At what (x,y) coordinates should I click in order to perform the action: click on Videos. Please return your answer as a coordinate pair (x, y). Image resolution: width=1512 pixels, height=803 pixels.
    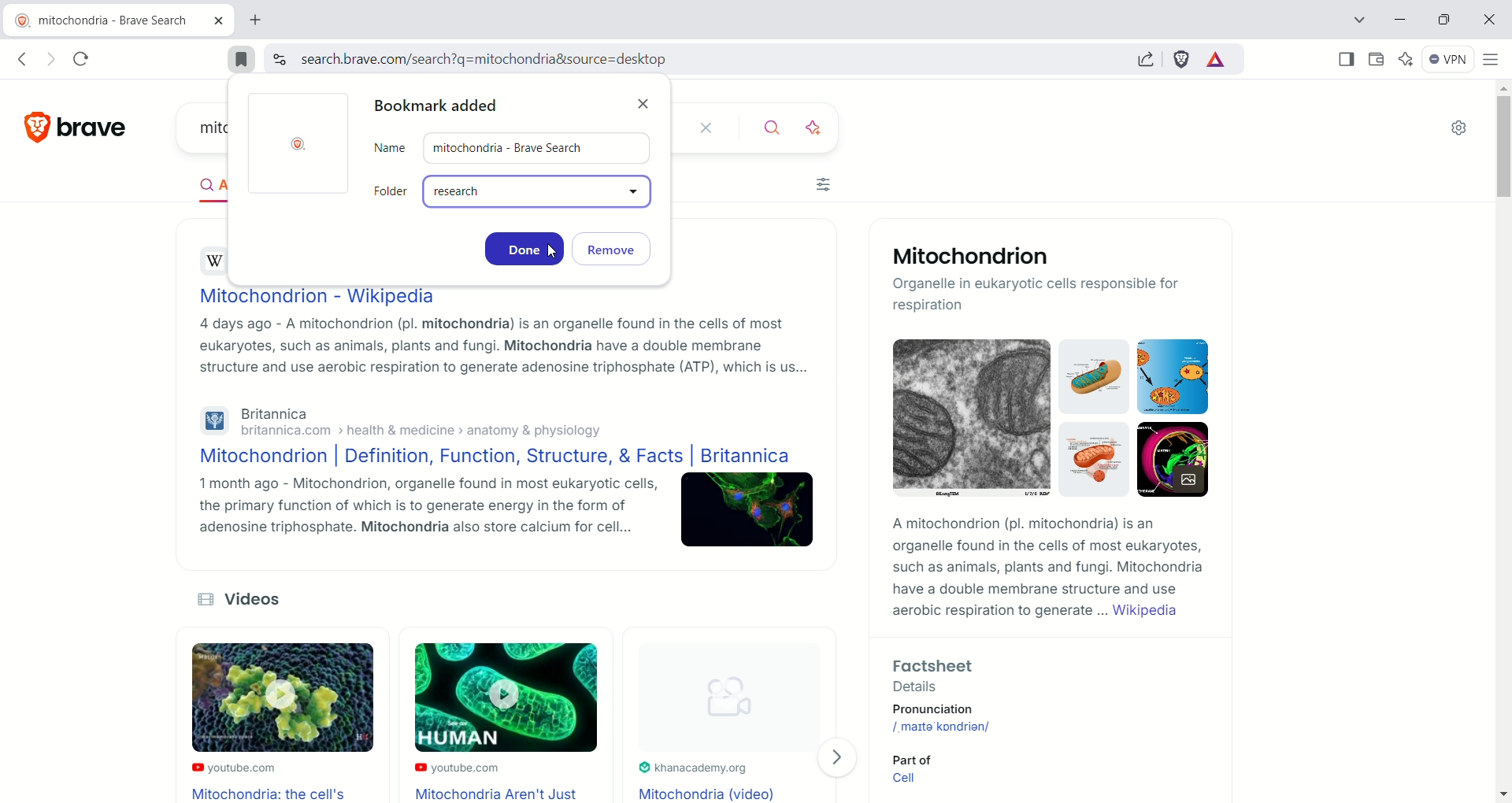
    Looking at the image, I should click on (254, 599).